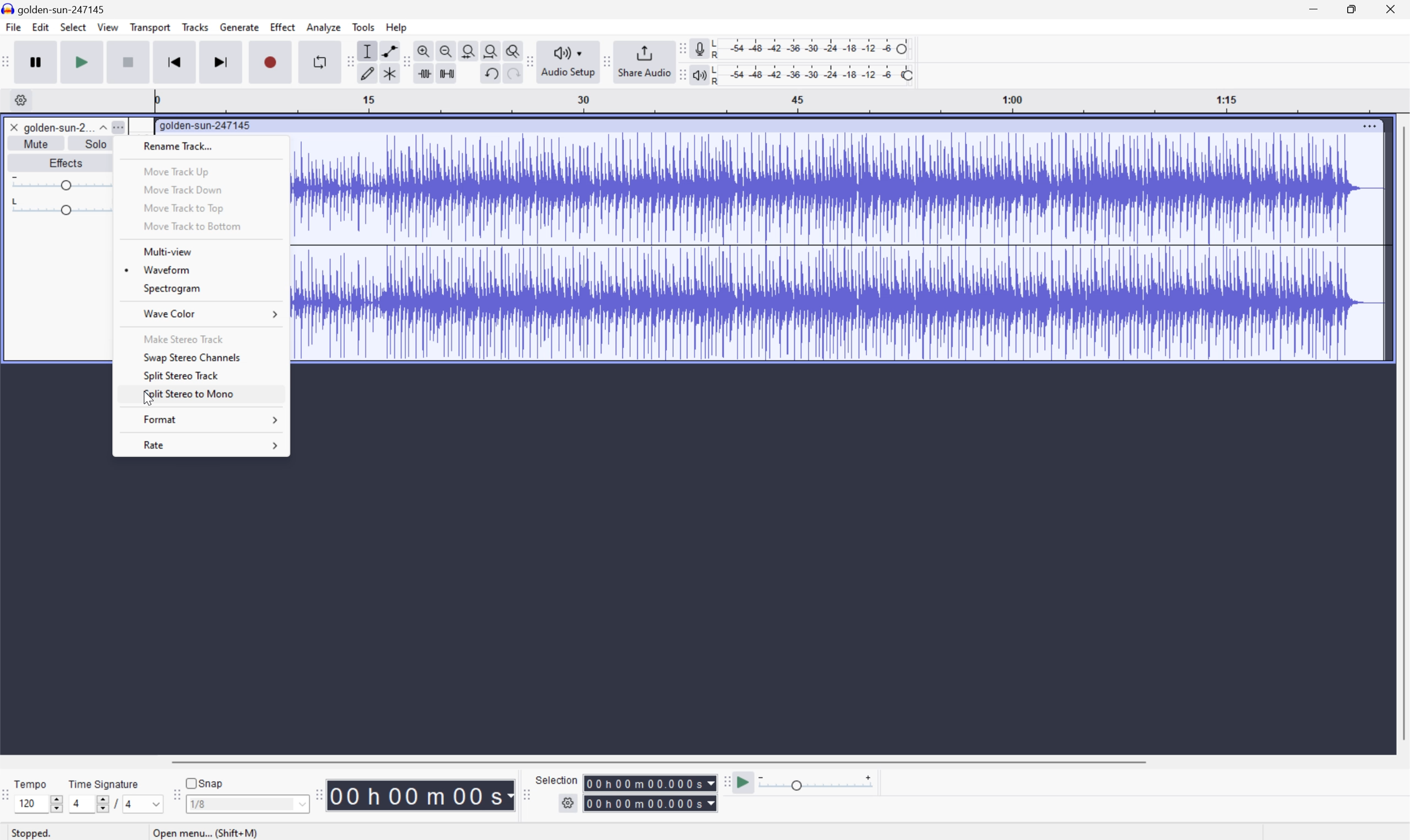 The height and width of the screenshot is (840, 1410). Describe the element at coordinates (318, 794) in the screenshot. I see `` at that location.